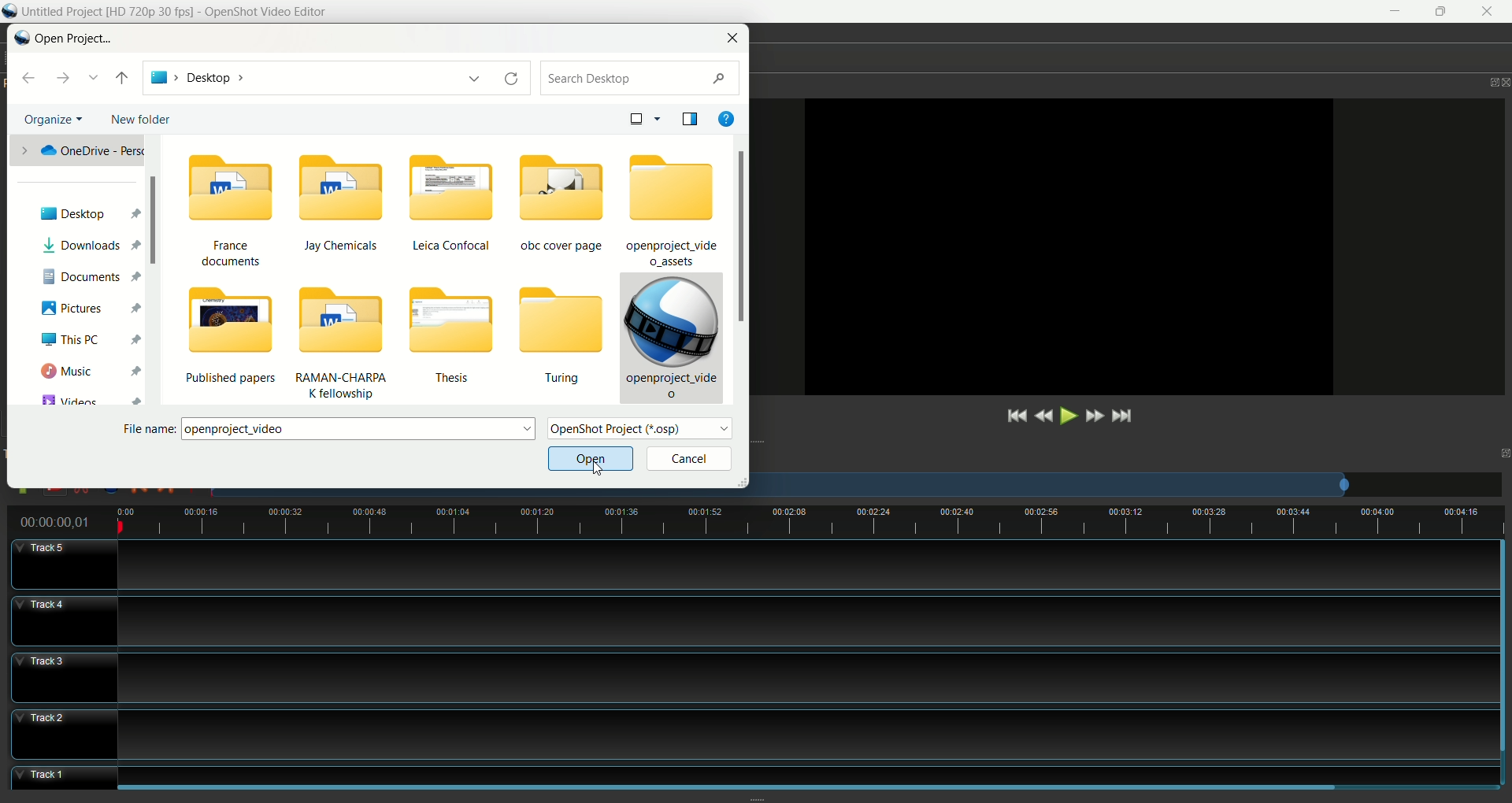 Image resolution: width=1512 pixels, height=803 pixels. What do you see at coordinates (1503, 80) in the screenshot?
I see `Close` at bounding box center [1503, 80].